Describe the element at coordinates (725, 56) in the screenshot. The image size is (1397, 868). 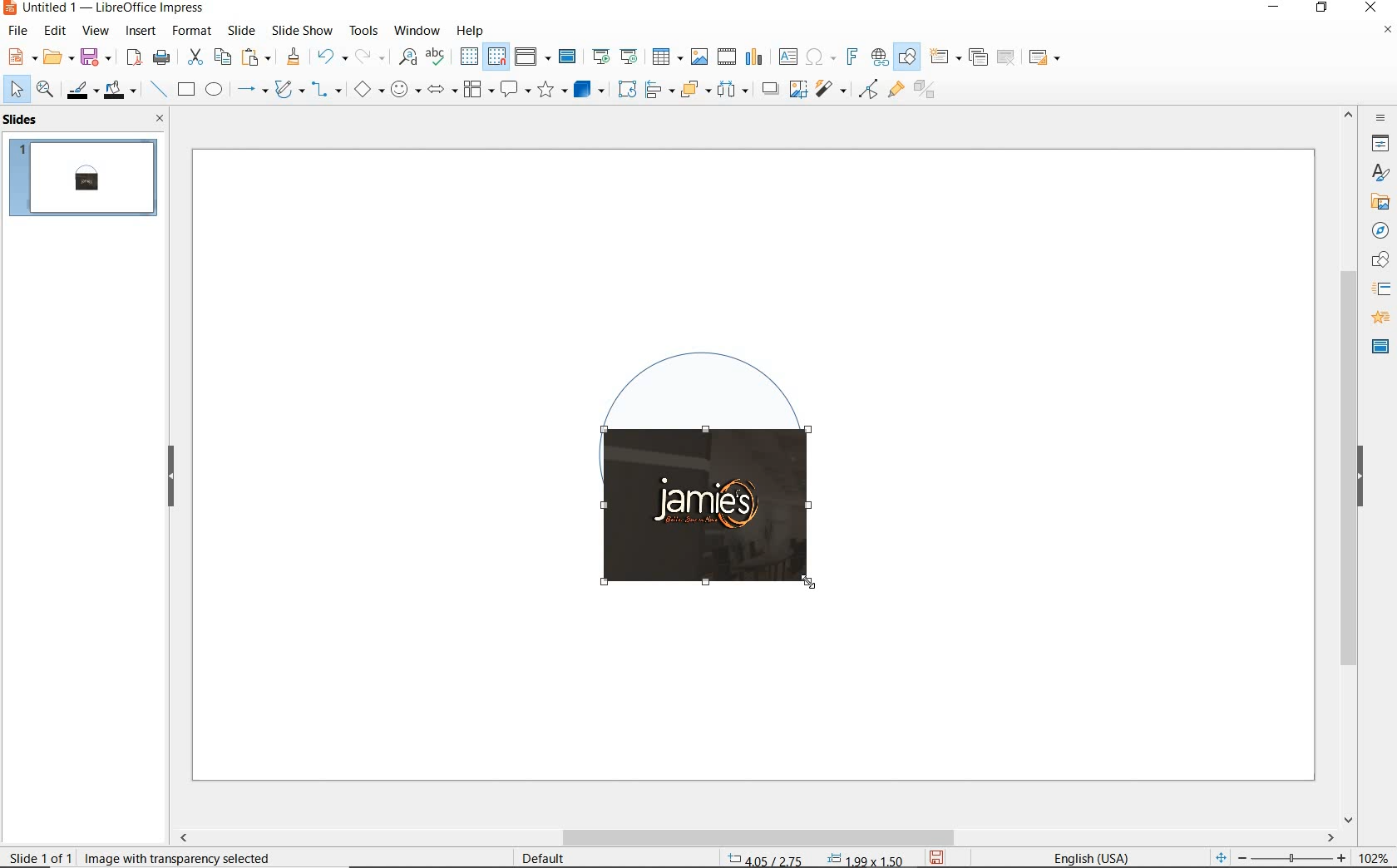
I see `insert video` at that location.